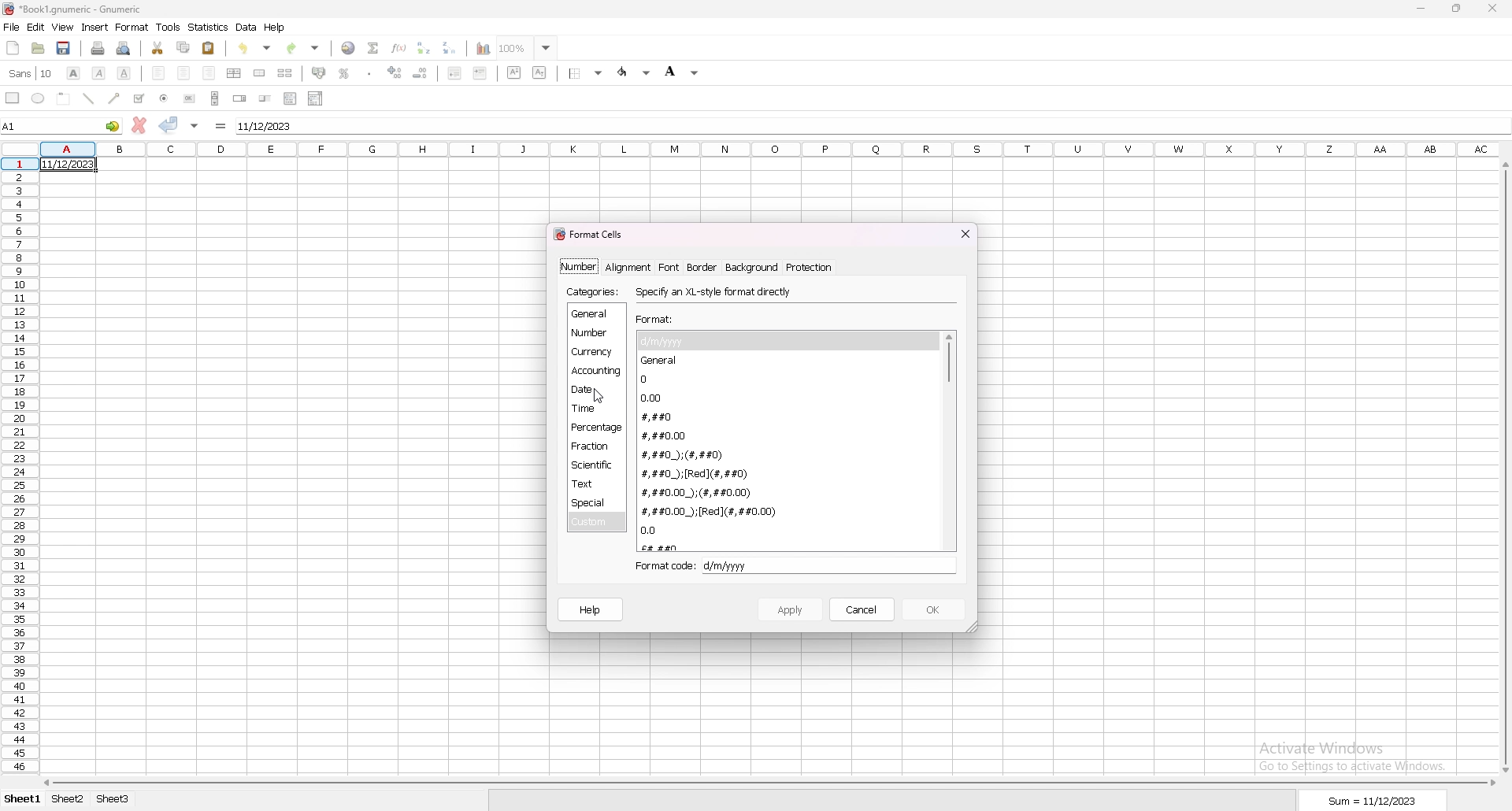  What do you see at coordinates (11, 28) in the screenshot?
I see `file` at bounding box center [11, 28].